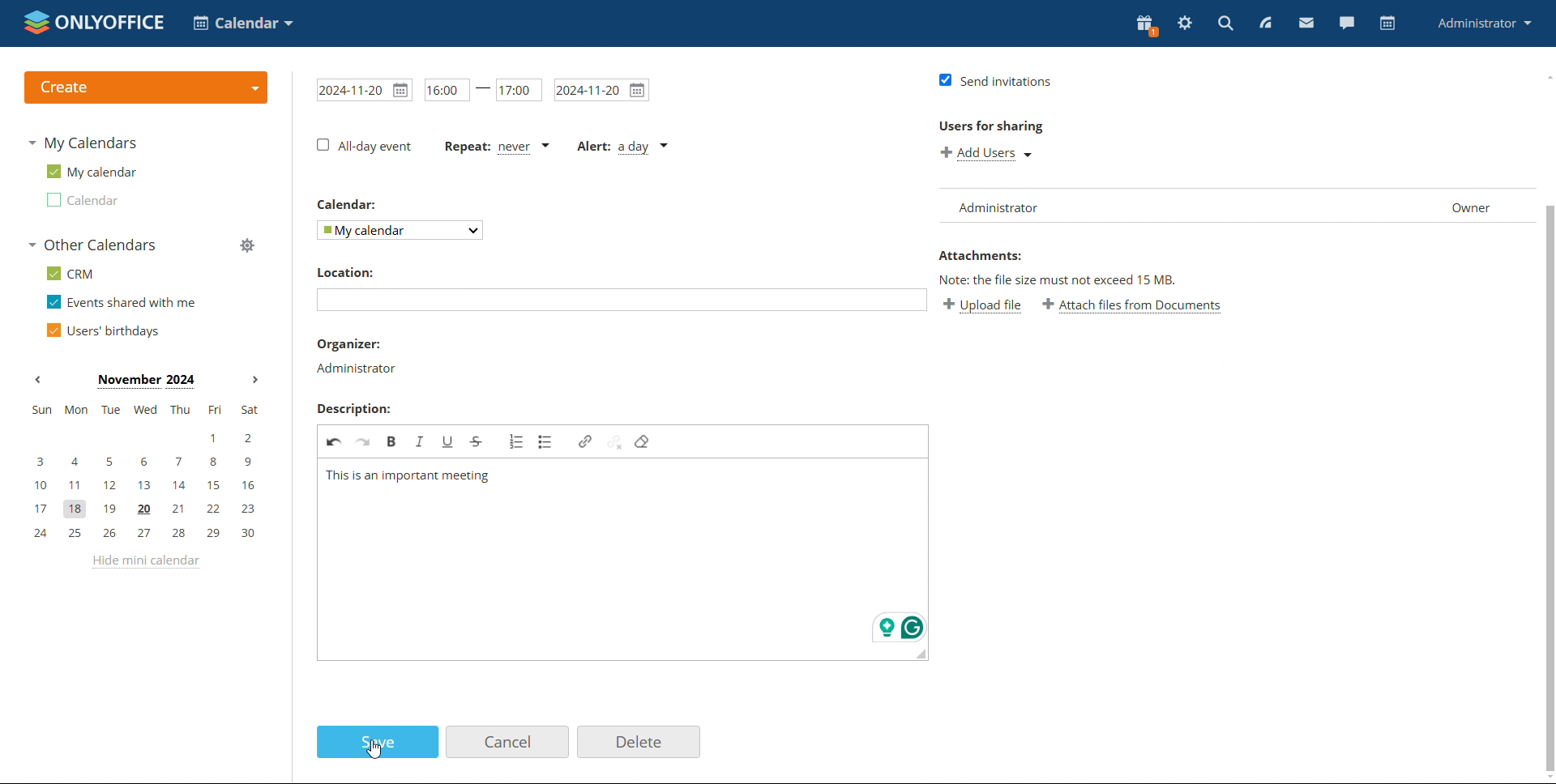 The image size is (1556, 784). What do you see at coordinates (643, 441) in the screenshot?
I see `remove format` at bounding box center [643, 441].